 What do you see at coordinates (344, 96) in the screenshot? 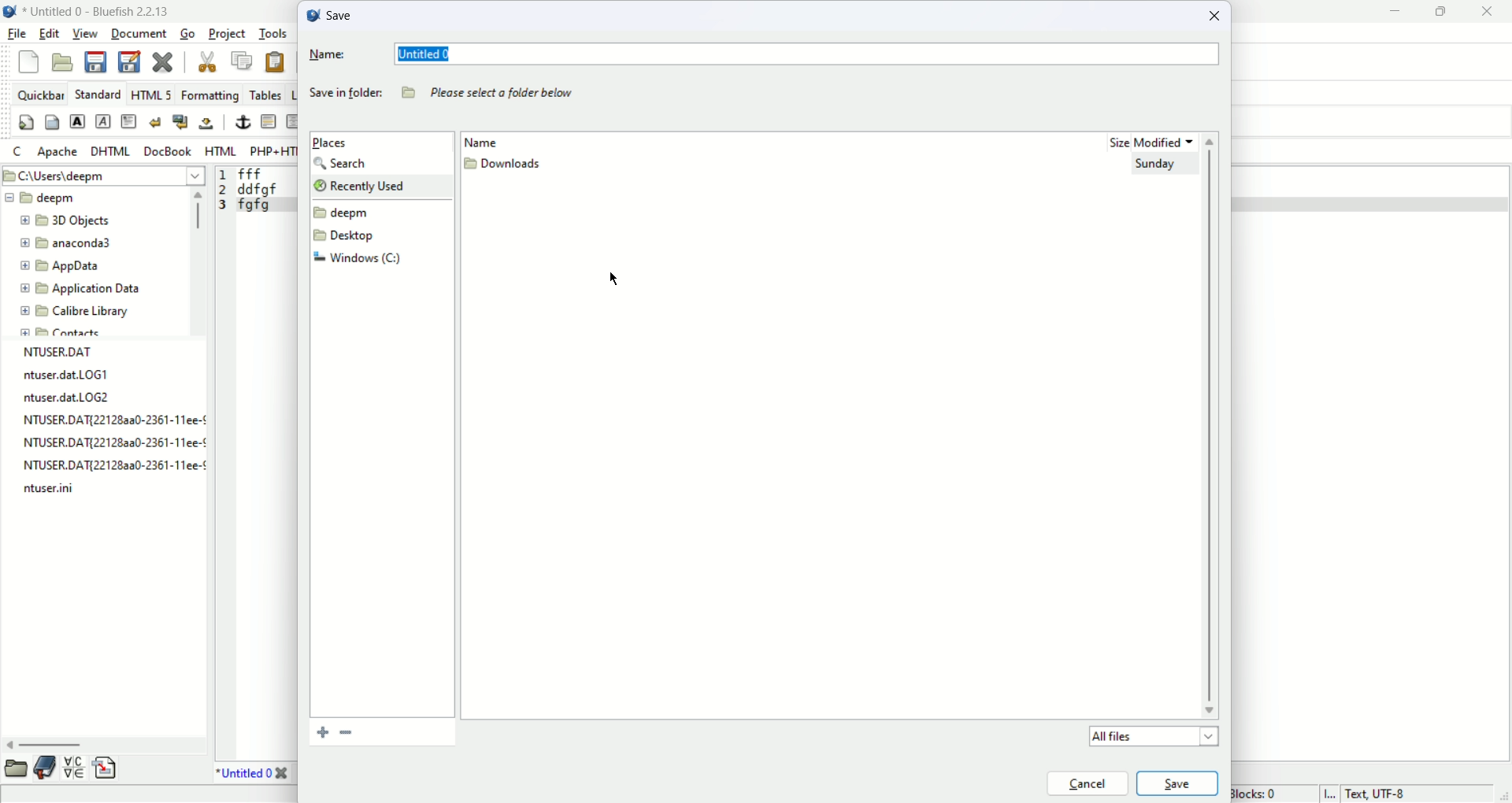
I see `save in folder` at bounding box center [344, 96].